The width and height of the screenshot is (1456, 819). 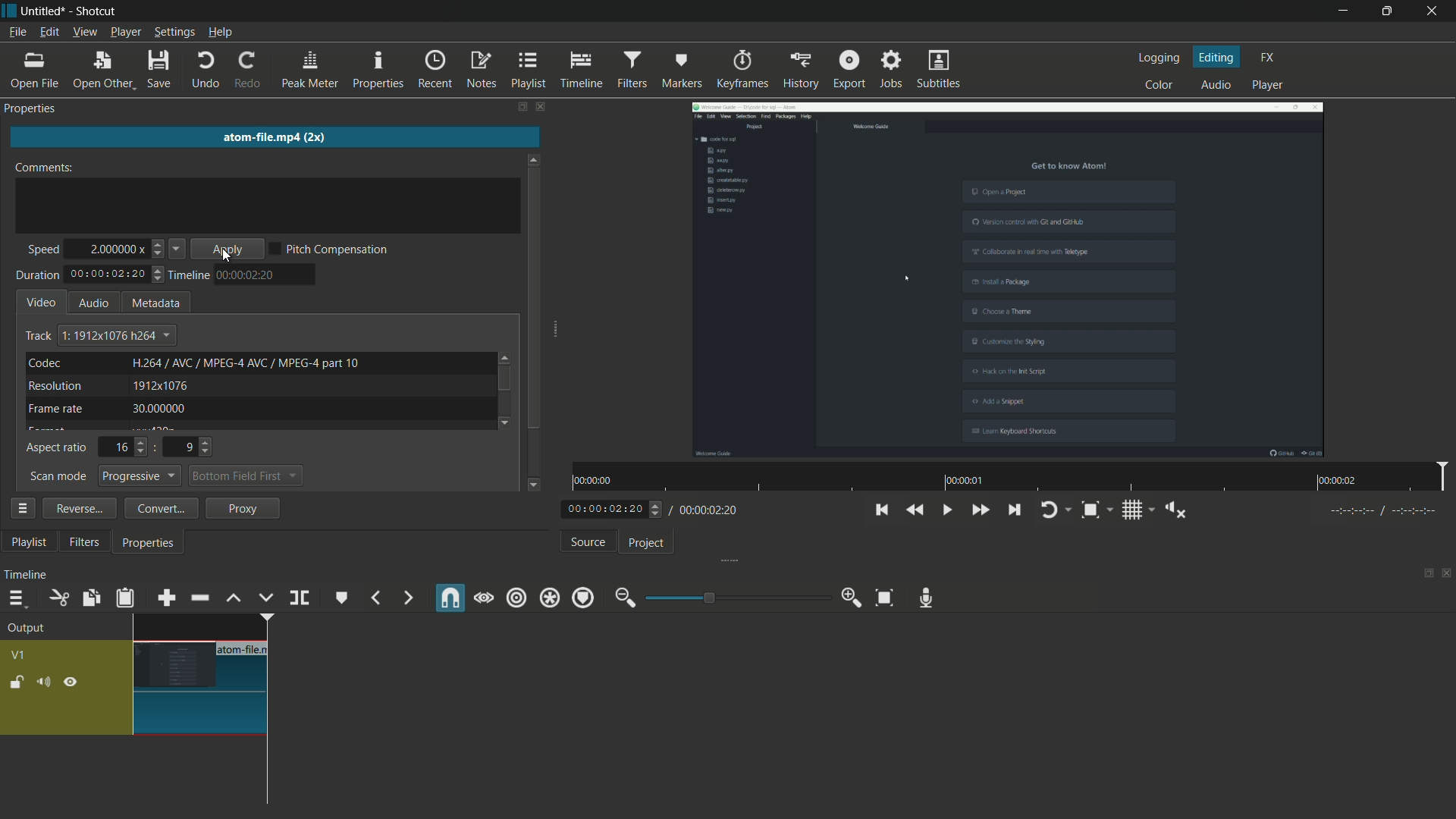 What do you see at coordinates (160, 243) in the screenshot?
I see `increase` at bounding box center [160, 243].